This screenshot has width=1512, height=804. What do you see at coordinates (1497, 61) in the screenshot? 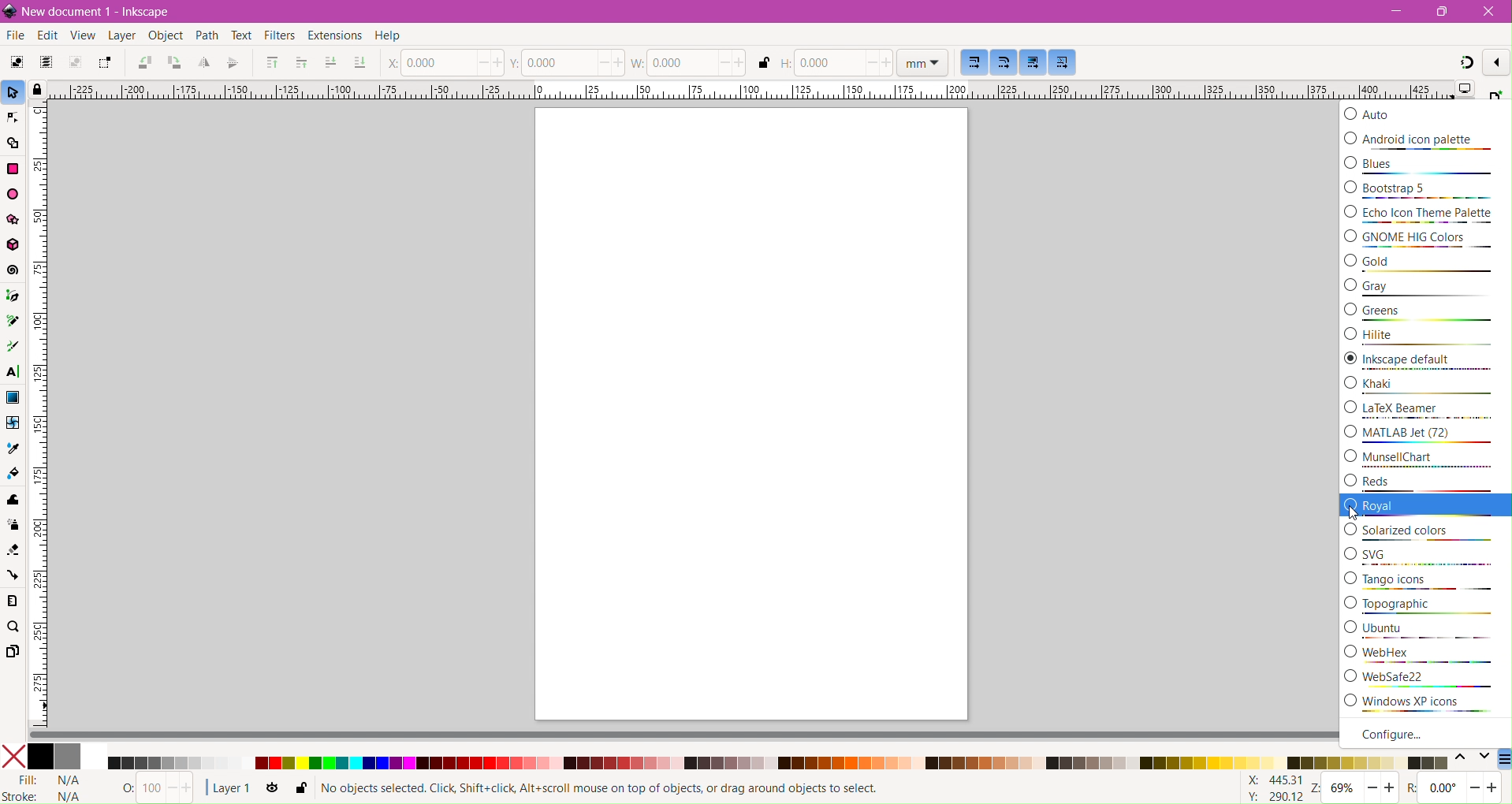
I see `Enable/disable snapping` at bounding box center [1497, 61].